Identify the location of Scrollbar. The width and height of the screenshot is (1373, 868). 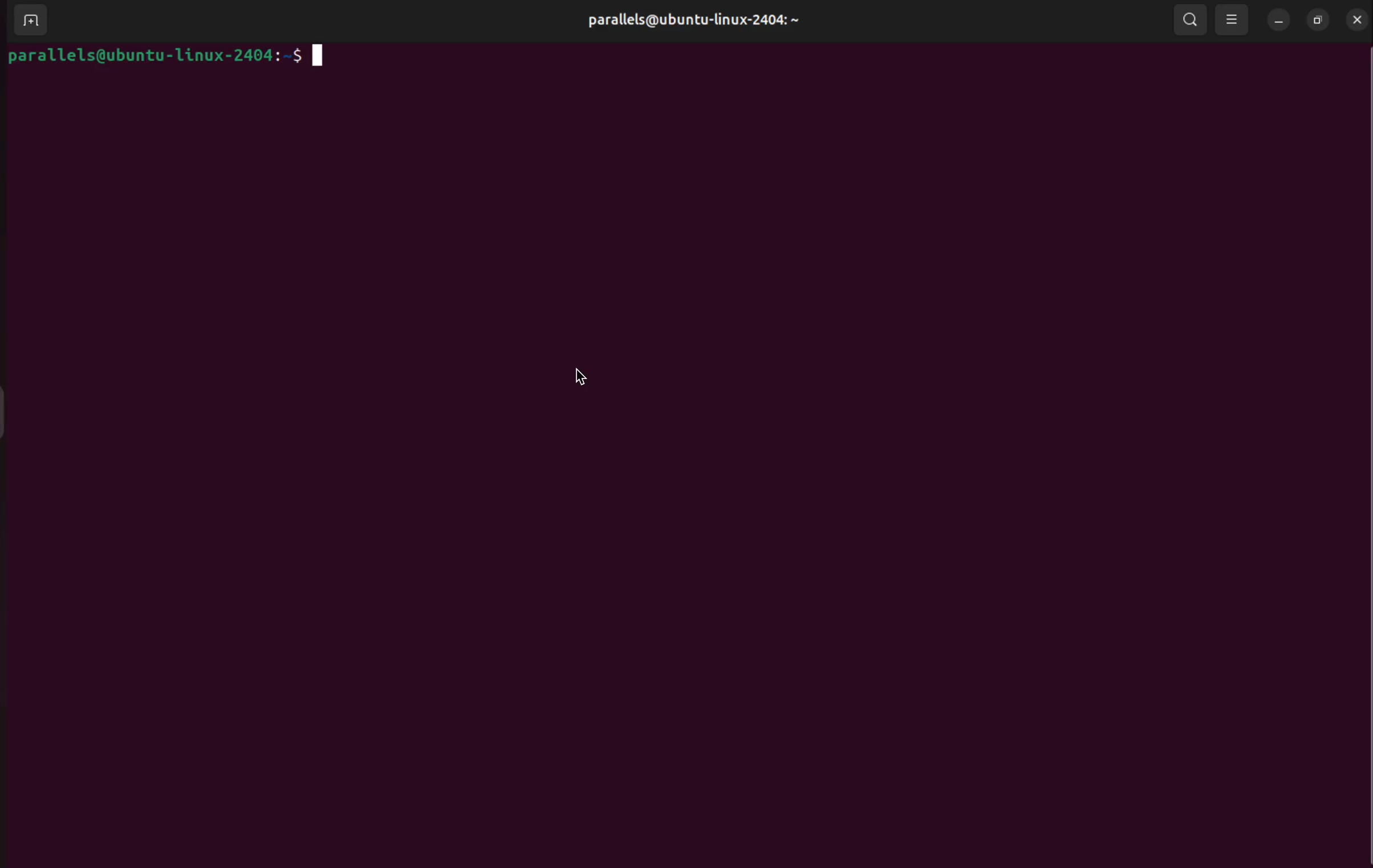
(1364, 428).